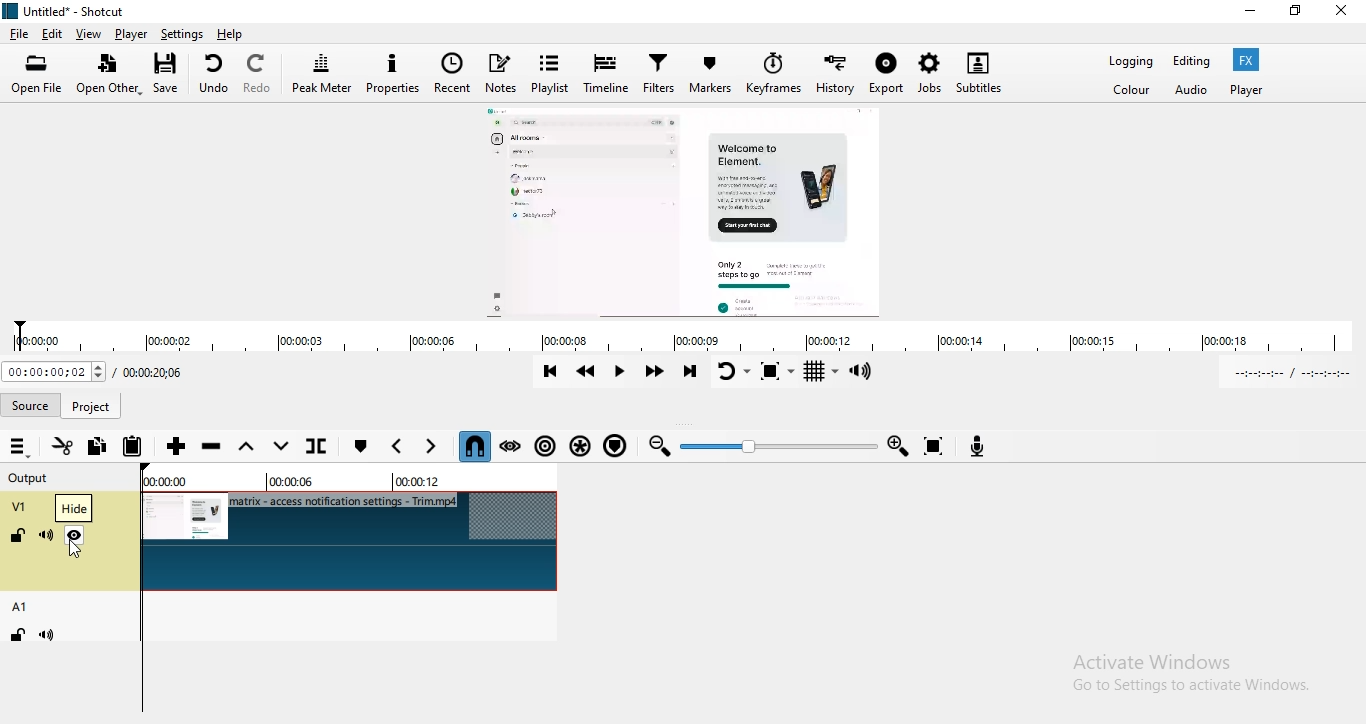  I want to click on Zoom timeline to fit, so click(938, 445).